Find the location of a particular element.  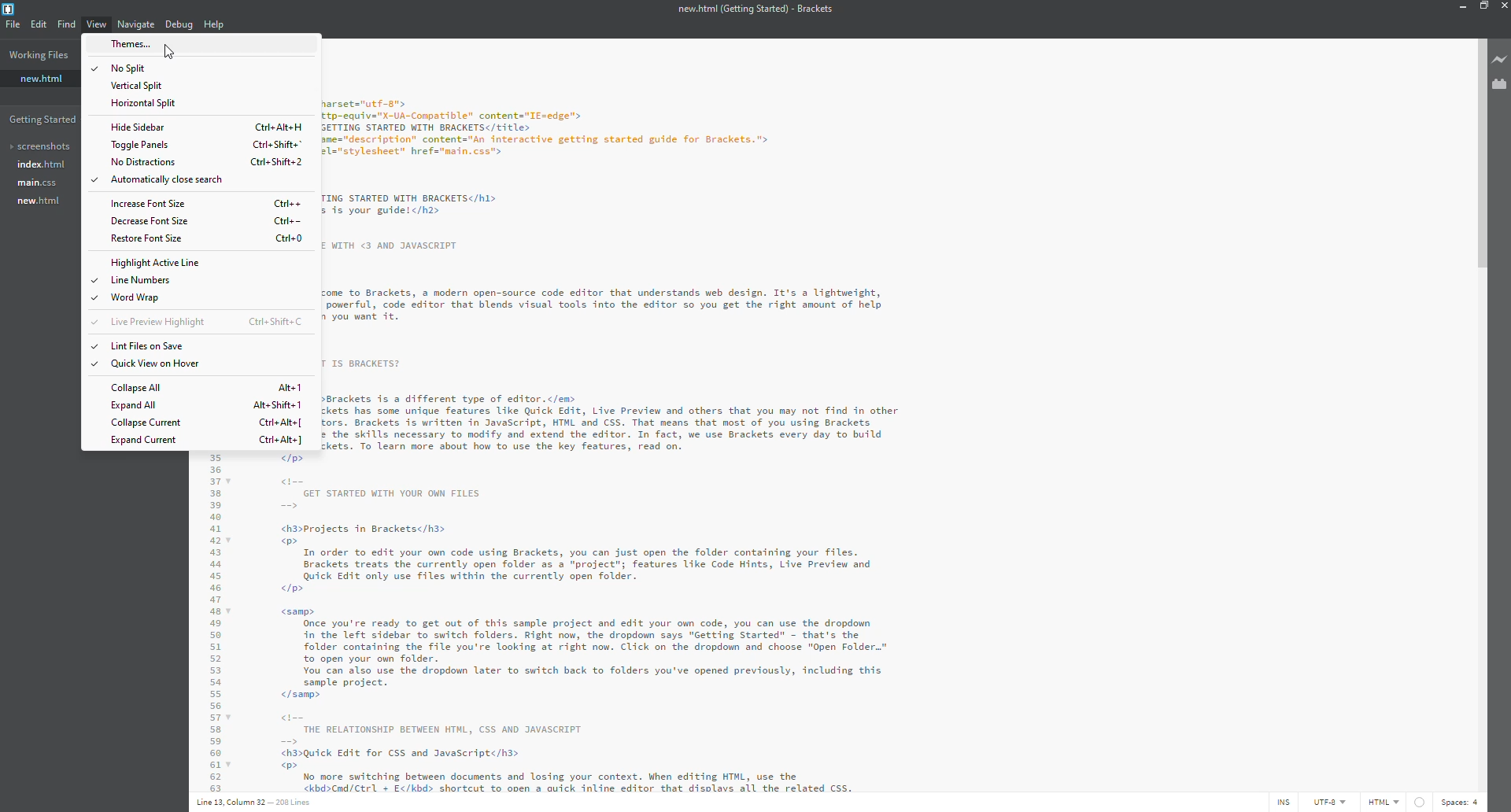

shortcut is located at coordinates (290, 205).